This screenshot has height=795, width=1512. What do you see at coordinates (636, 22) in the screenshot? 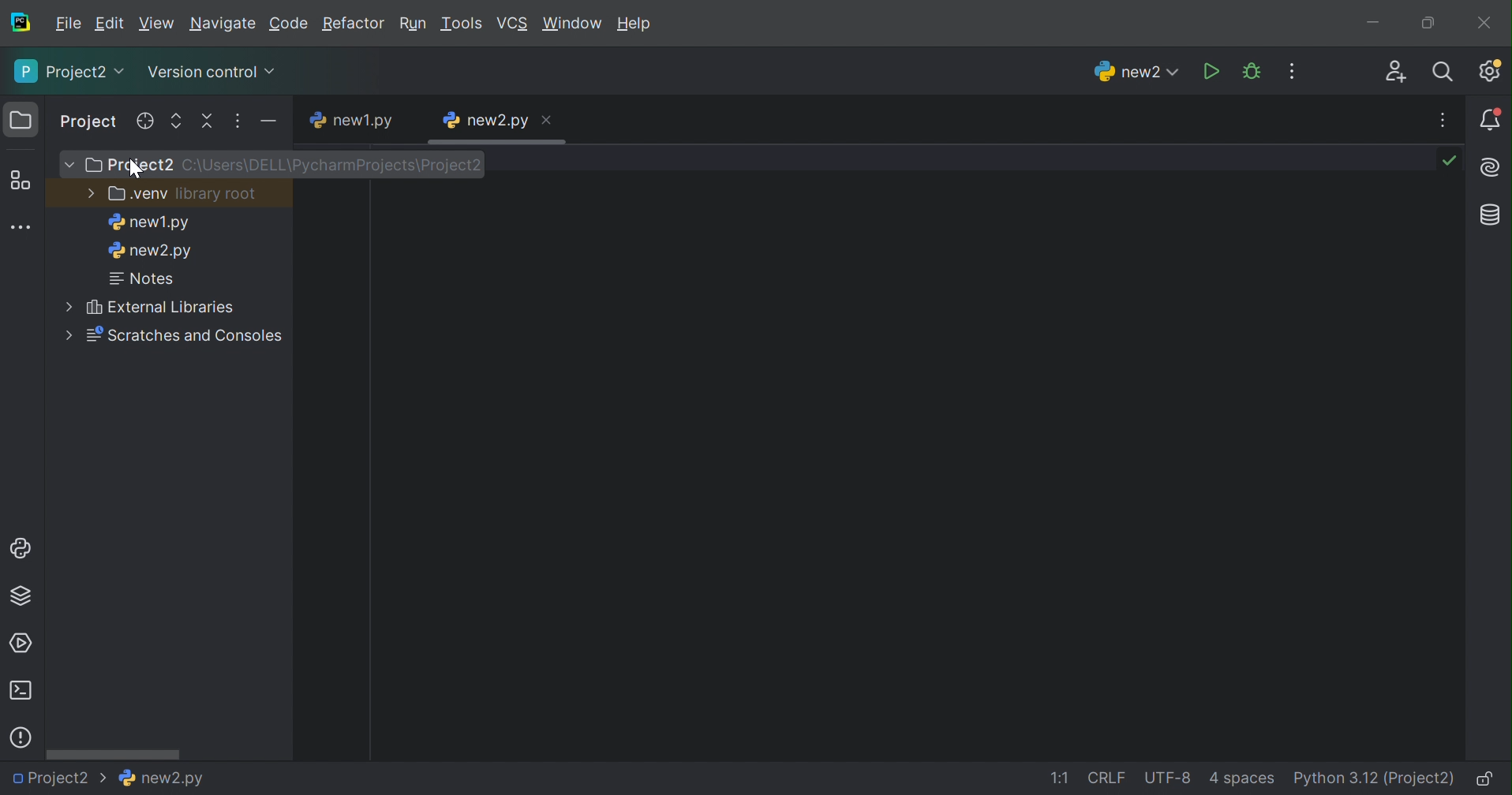
I see `Help` at bounding box center [636, 22].